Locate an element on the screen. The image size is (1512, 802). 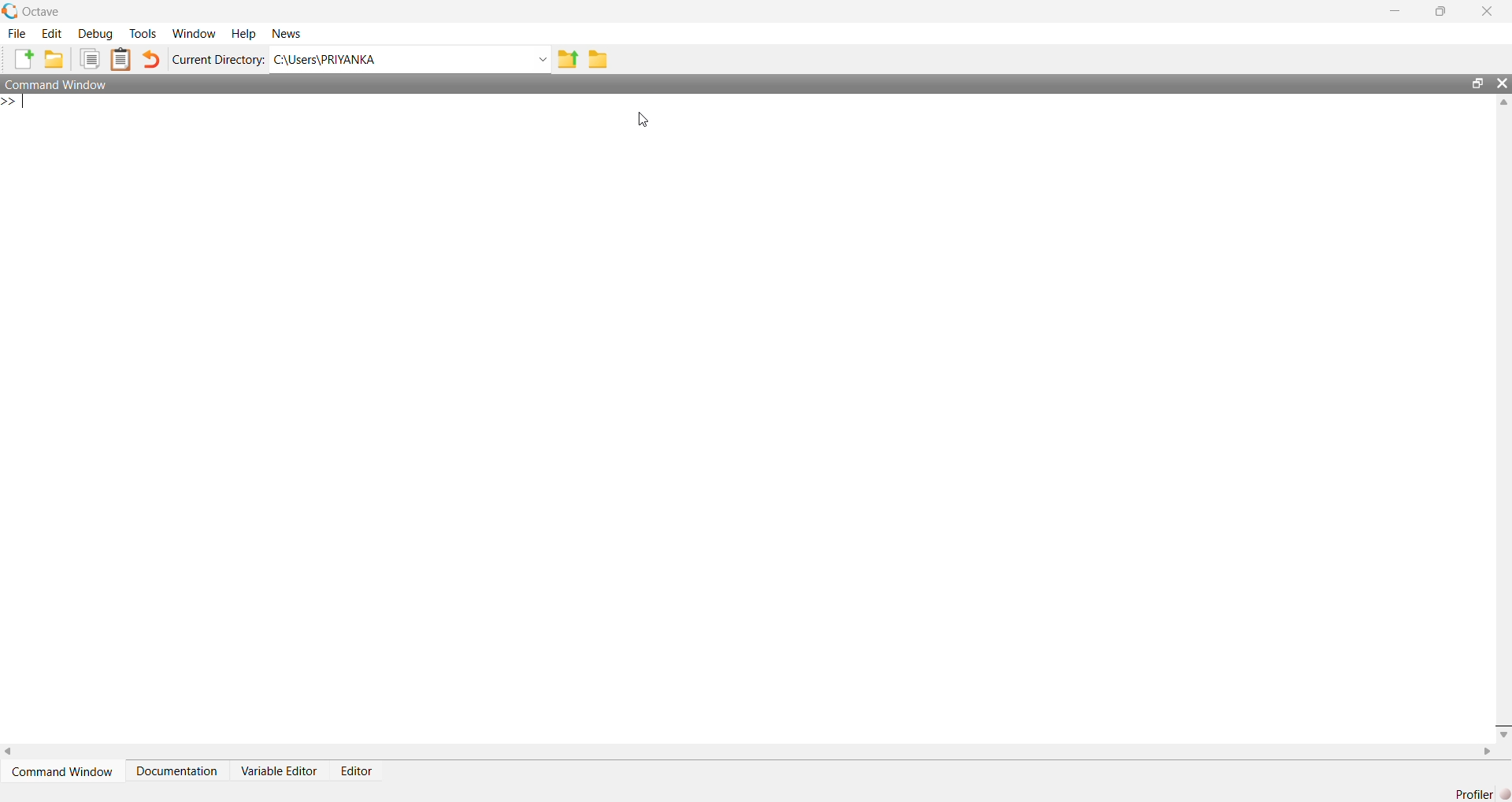
one directory up is located at coordinates (566, 58).